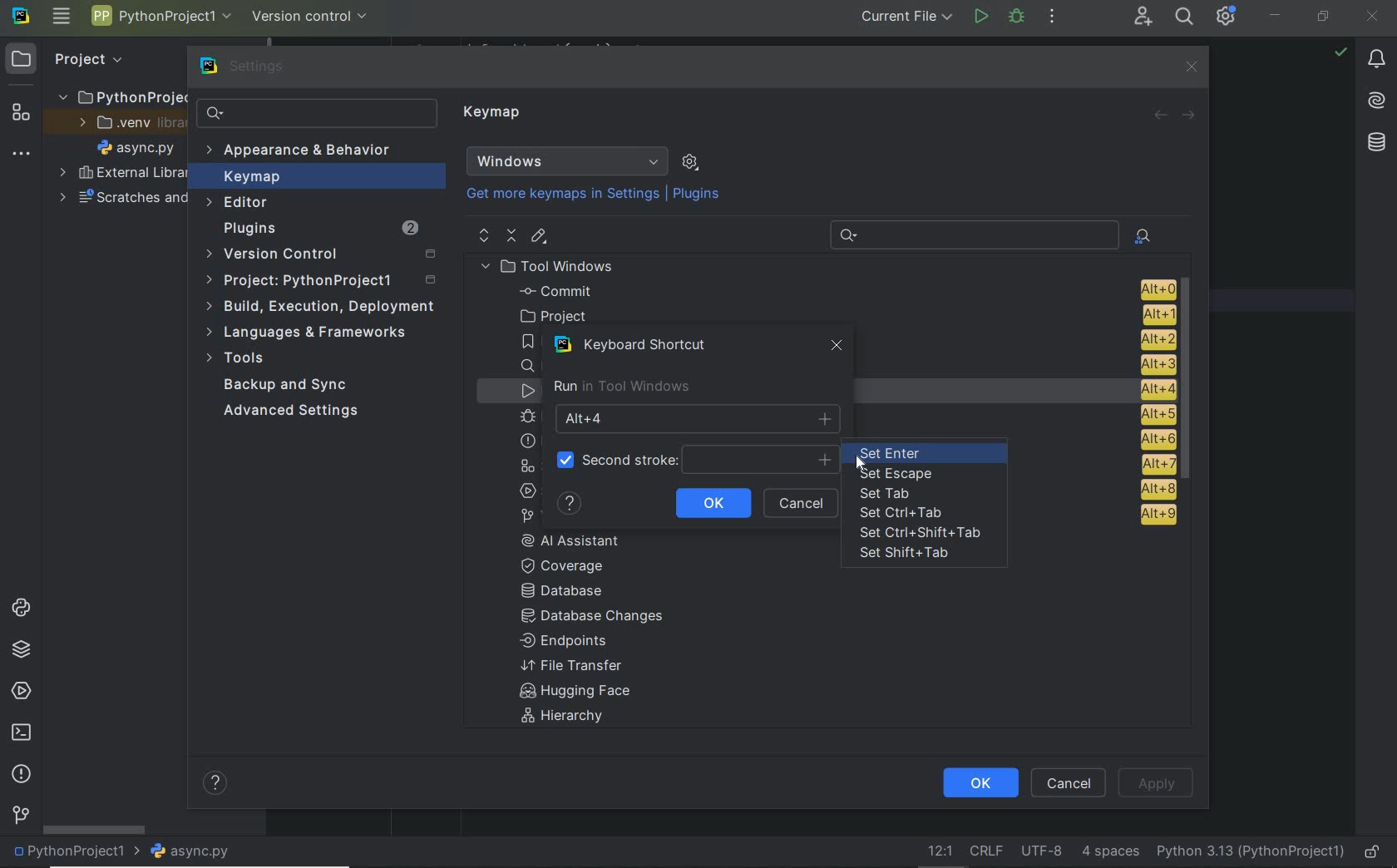 The image size is (1397, 868). What do you see at coordinates (19, 608) in the screenshot?
I see `python consoles` at bounding box center [19, 608].